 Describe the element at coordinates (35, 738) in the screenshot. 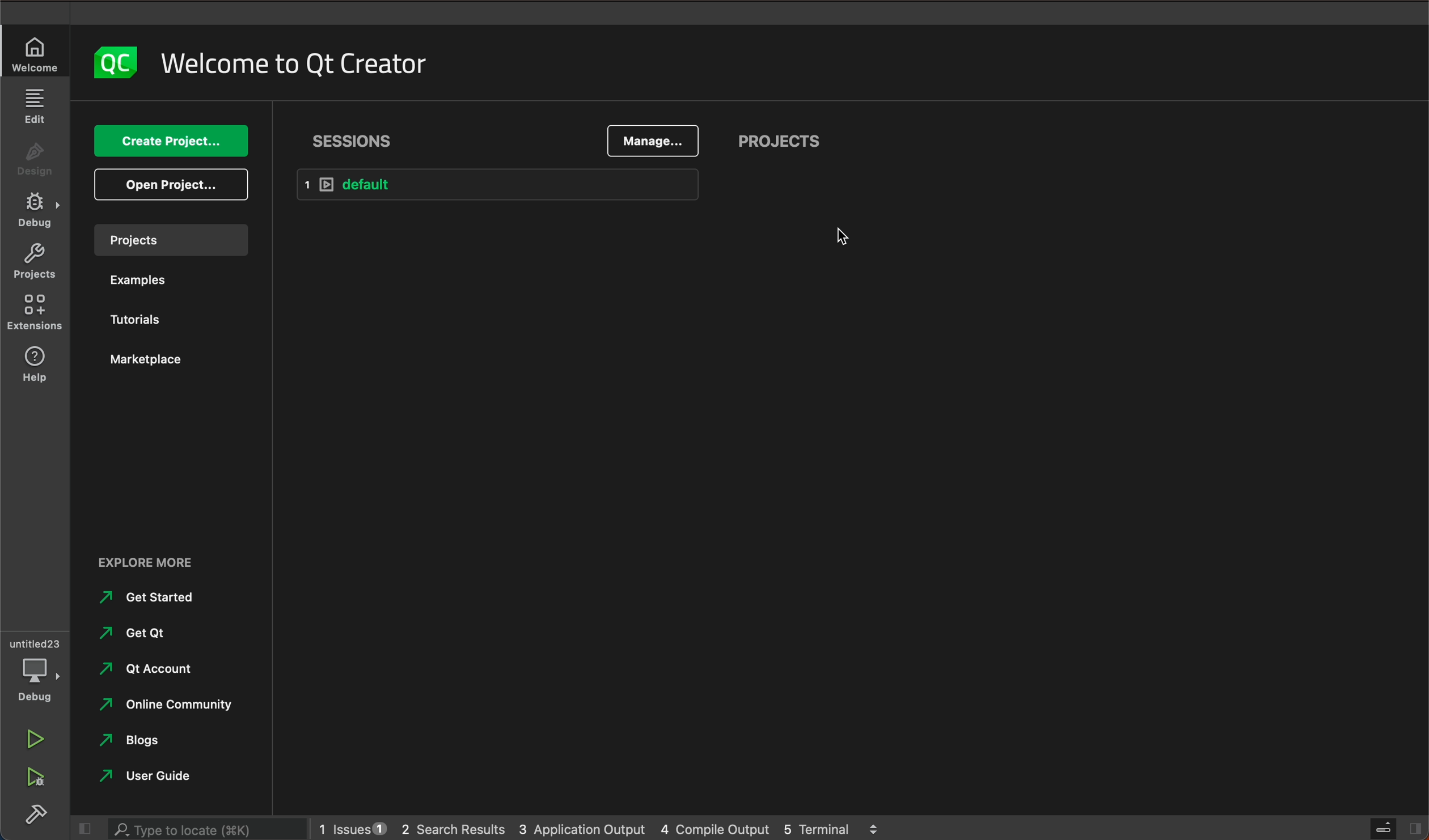

I see `run` at that location.